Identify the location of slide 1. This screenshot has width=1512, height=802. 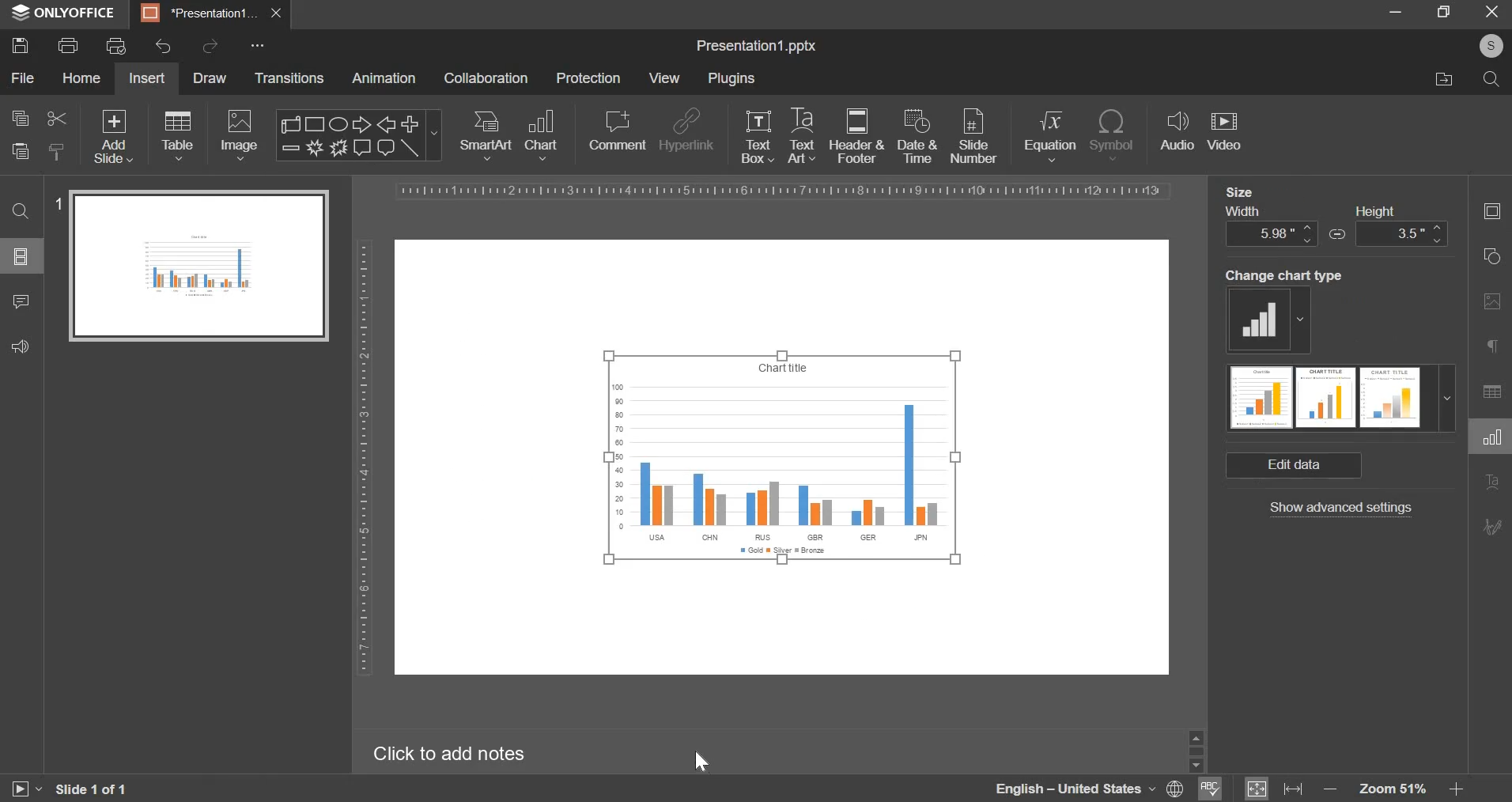
(197, 265).